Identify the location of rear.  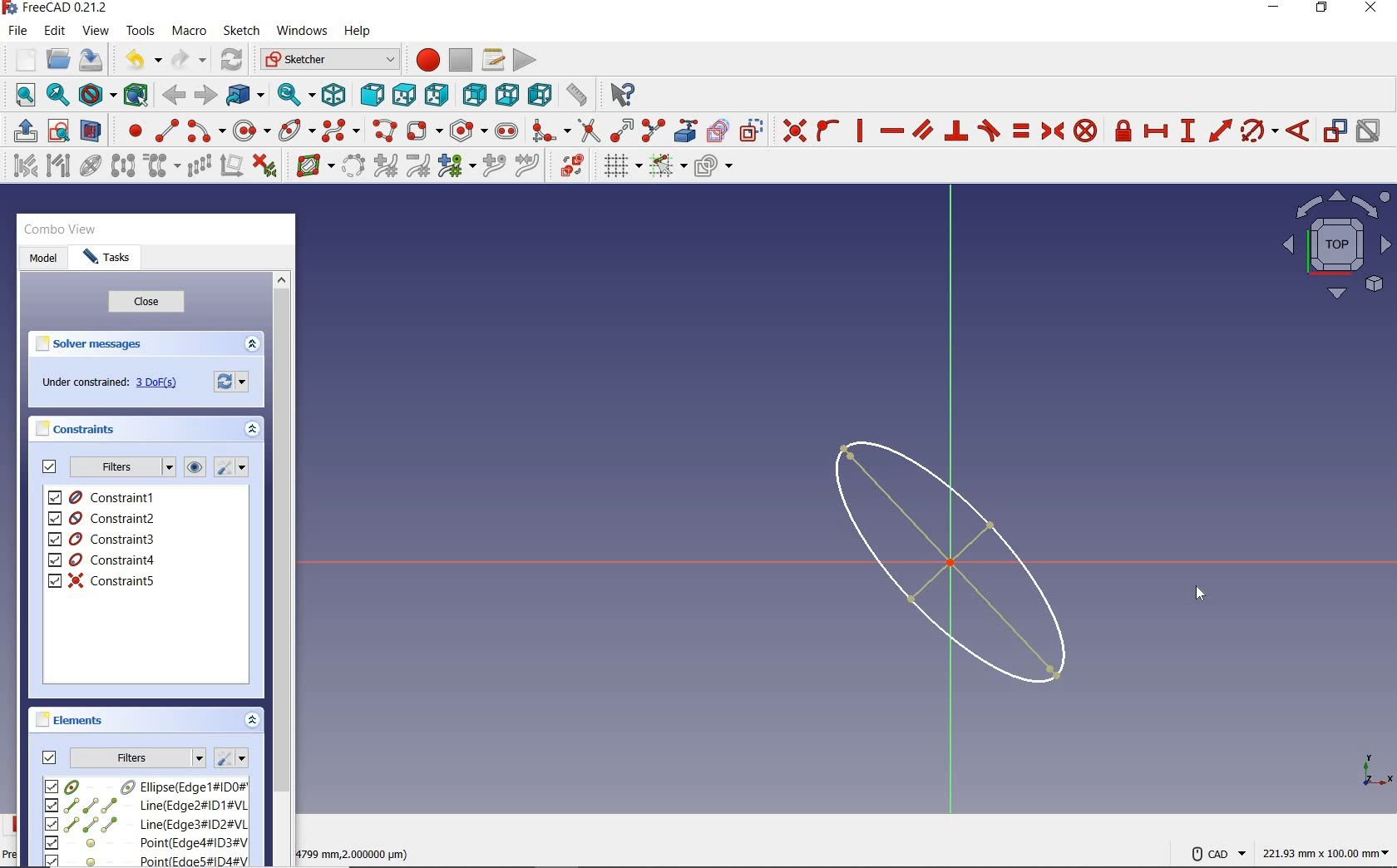
(474, 94).